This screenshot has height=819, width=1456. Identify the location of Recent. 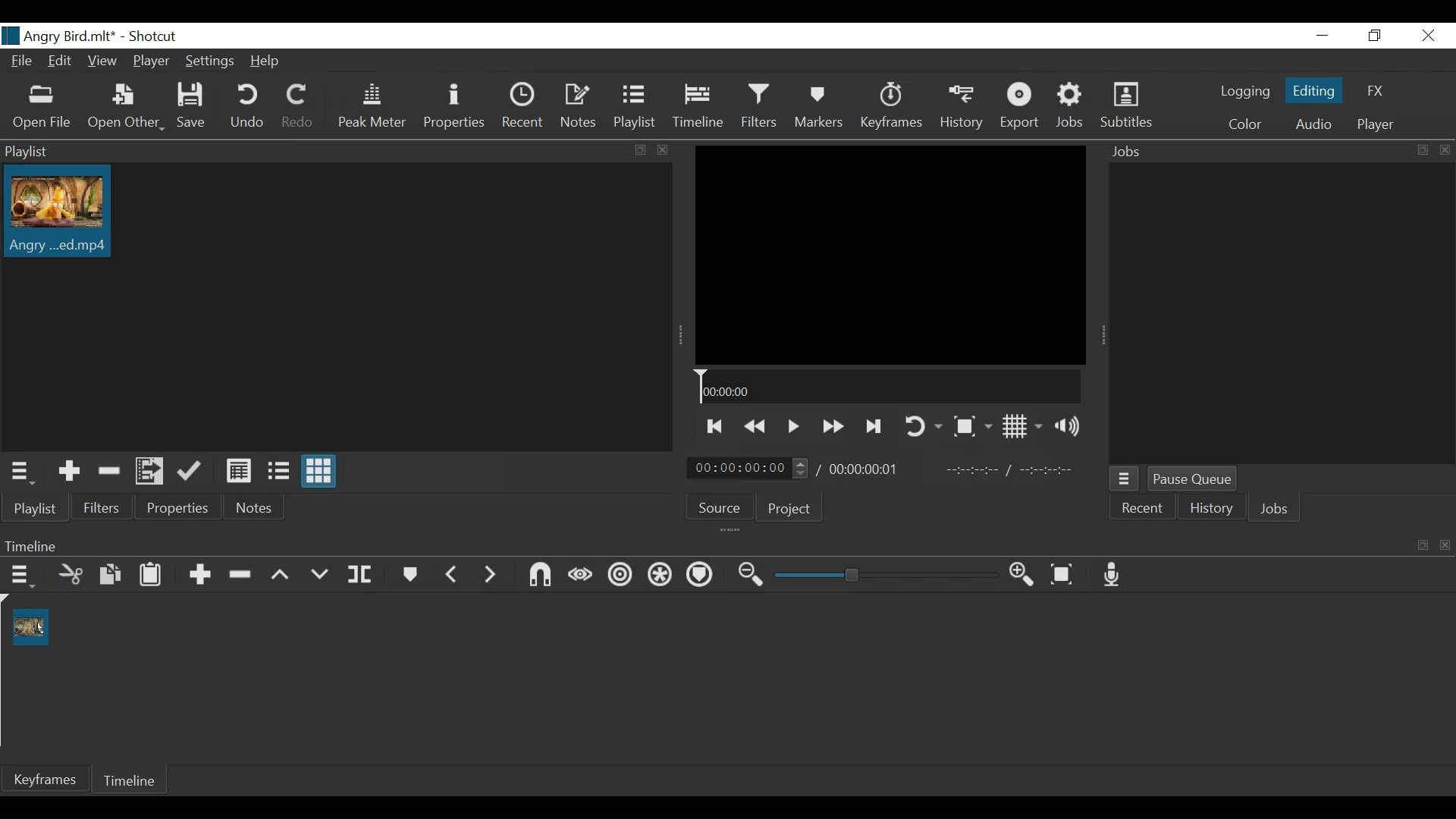
(524, 106).